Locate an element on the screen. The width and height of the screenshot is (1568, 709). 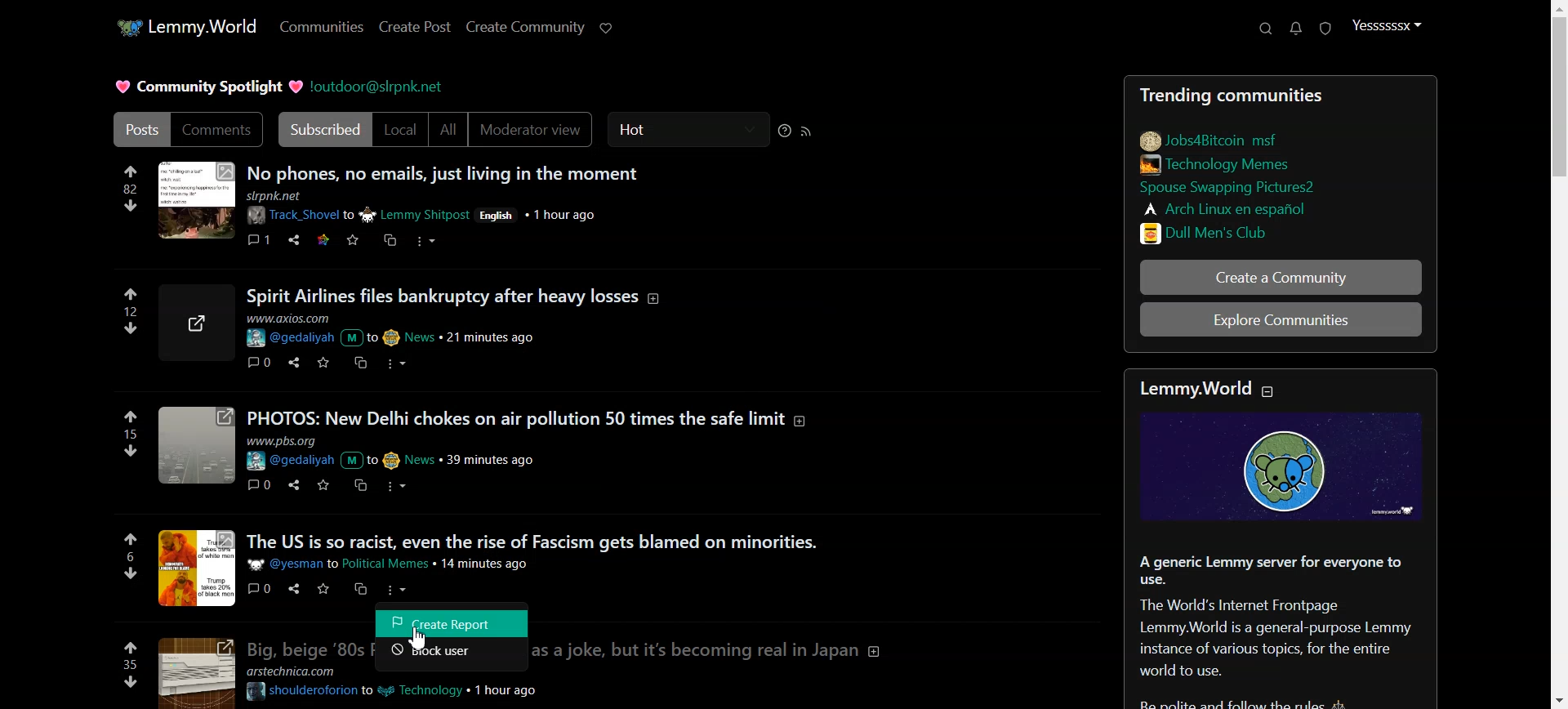
save is located at coordinates (323, 589).